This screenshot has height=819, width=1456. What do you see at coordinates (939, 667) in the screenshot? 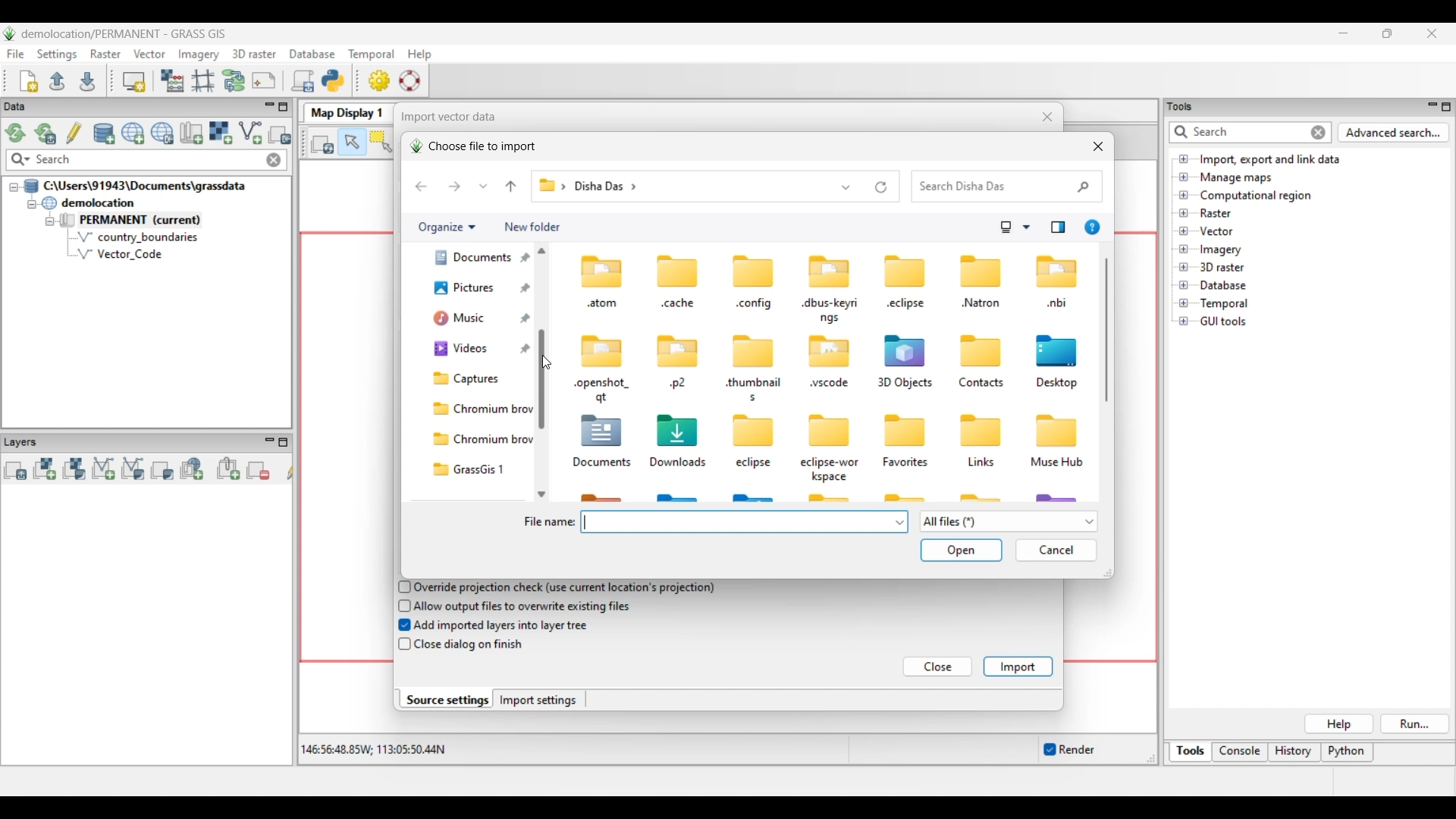
I see `Close` at bounding box center [939, 667].